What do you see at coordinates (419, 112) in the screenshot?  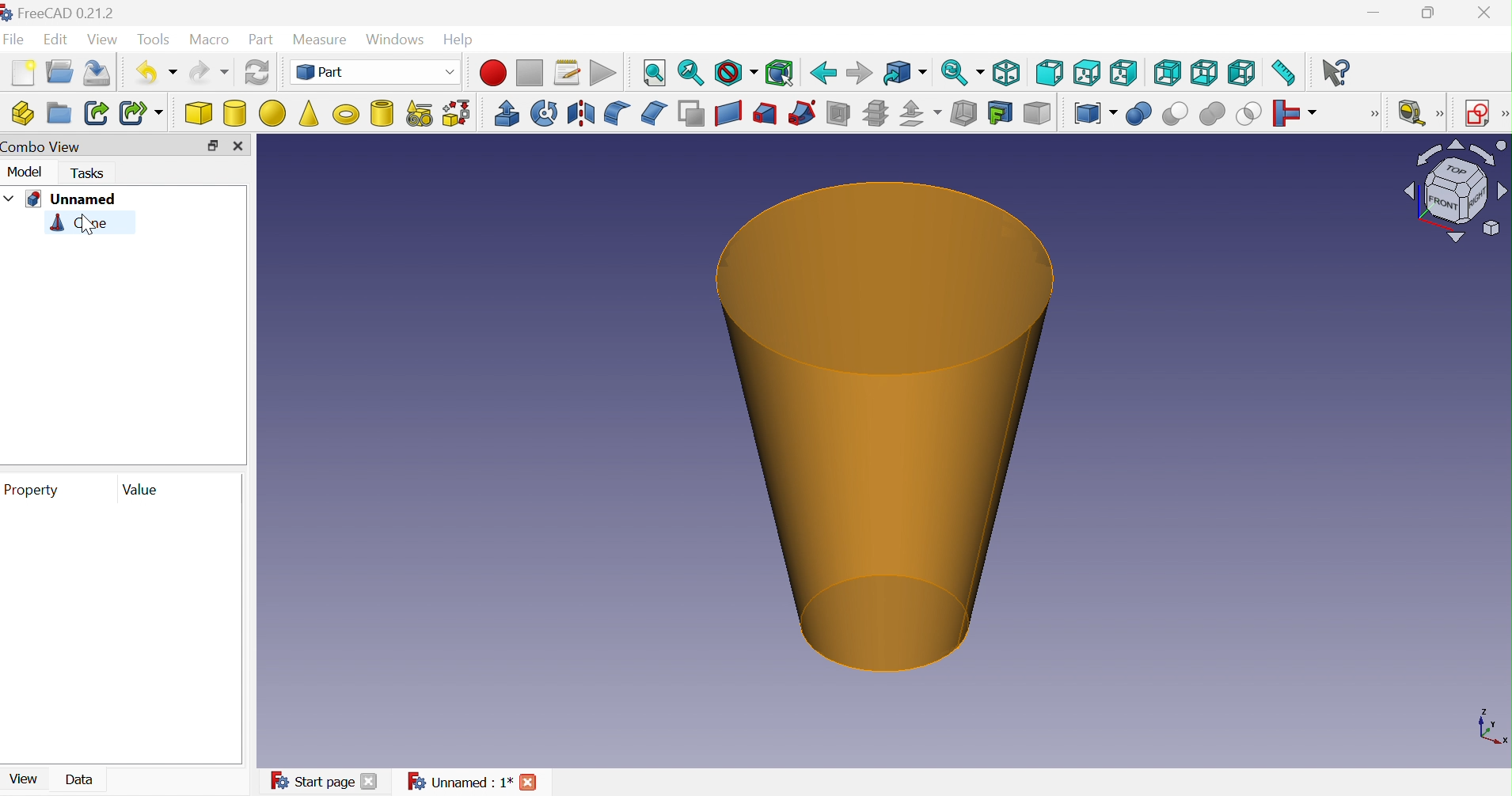 I see `Create primitives` at bounding box center [419, 112].